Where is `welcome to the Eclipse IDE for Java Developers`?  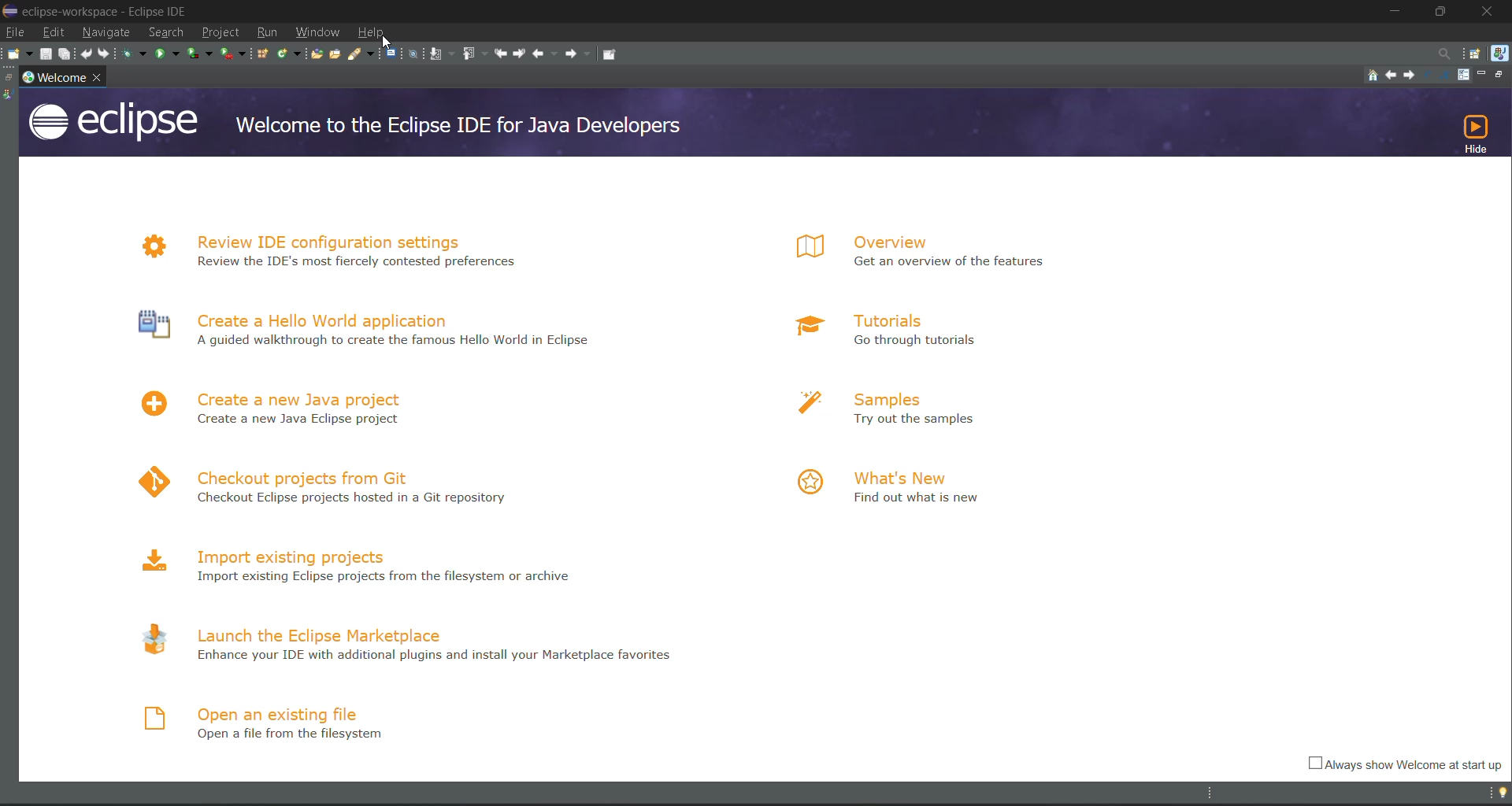
welcome to the Eclipse IDE for Java Developers is located at coordinates (453, 126).